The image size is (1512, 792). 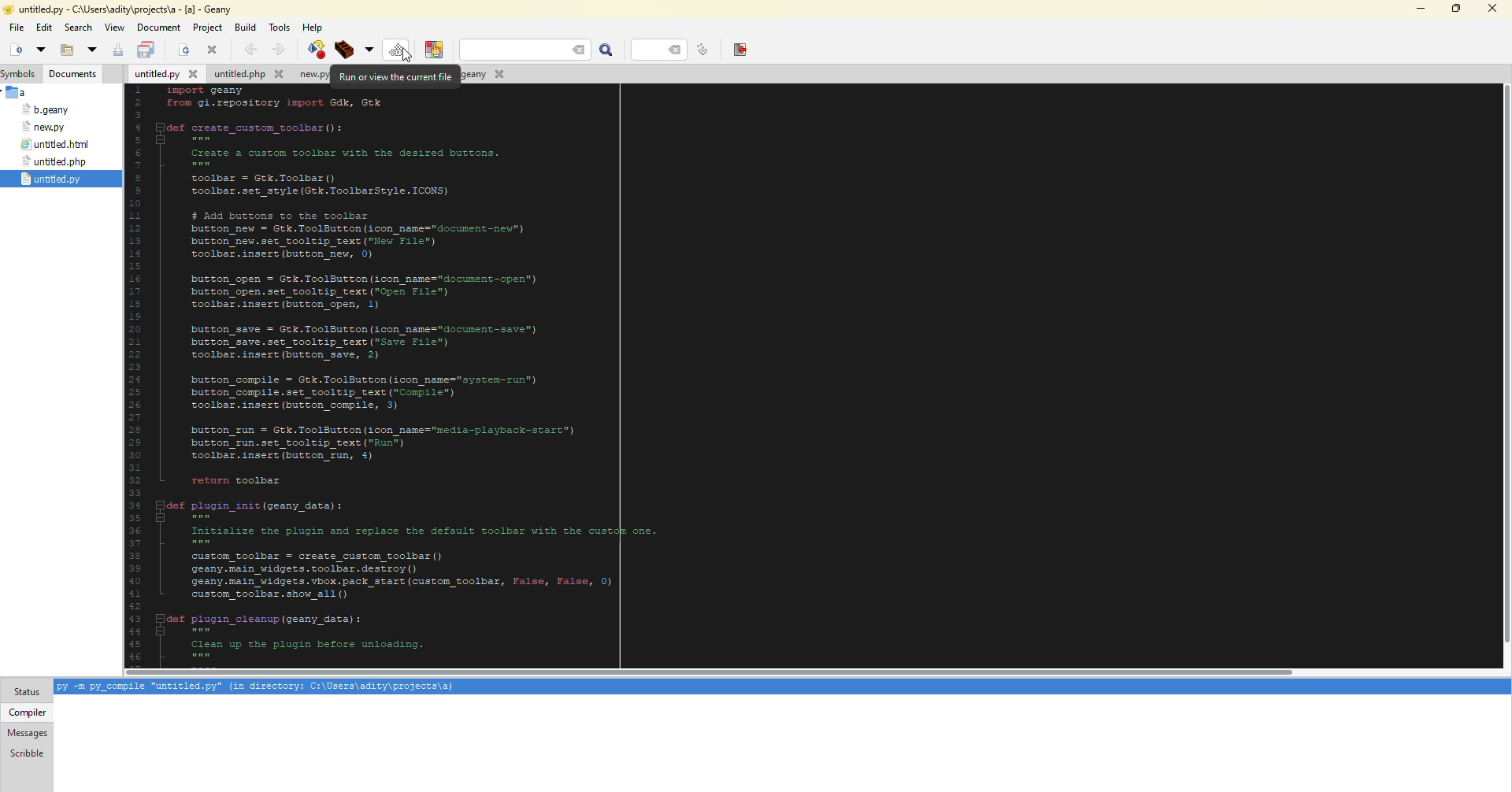 What do you see at coordinates (117, 50) in the screenshot?
I see `save` at bounding box center [117, 50].